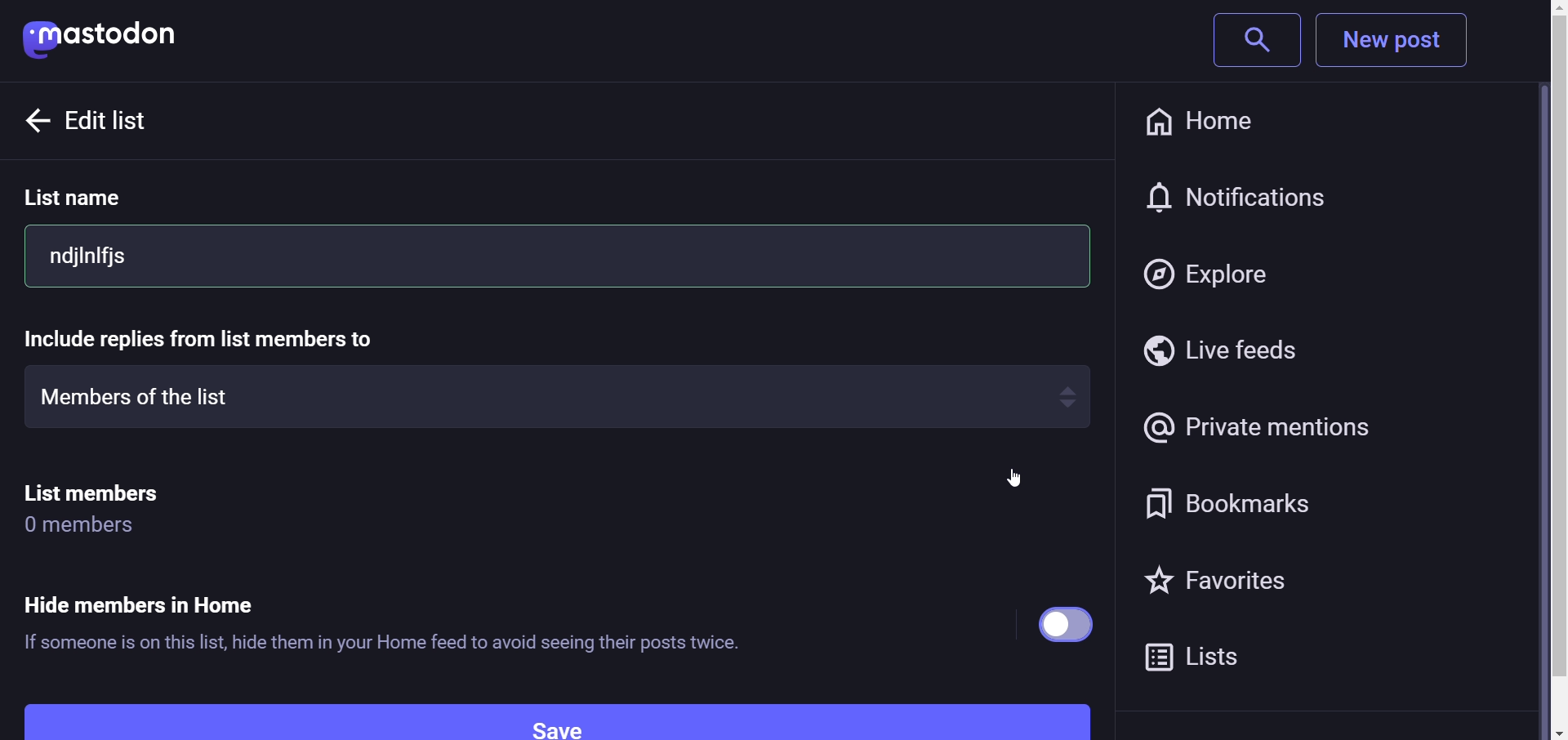 This screenshot has height=740, width=1568. Describe the element at coordinates (1540, 732) in the screenshot. I see `scroll down` at that location.